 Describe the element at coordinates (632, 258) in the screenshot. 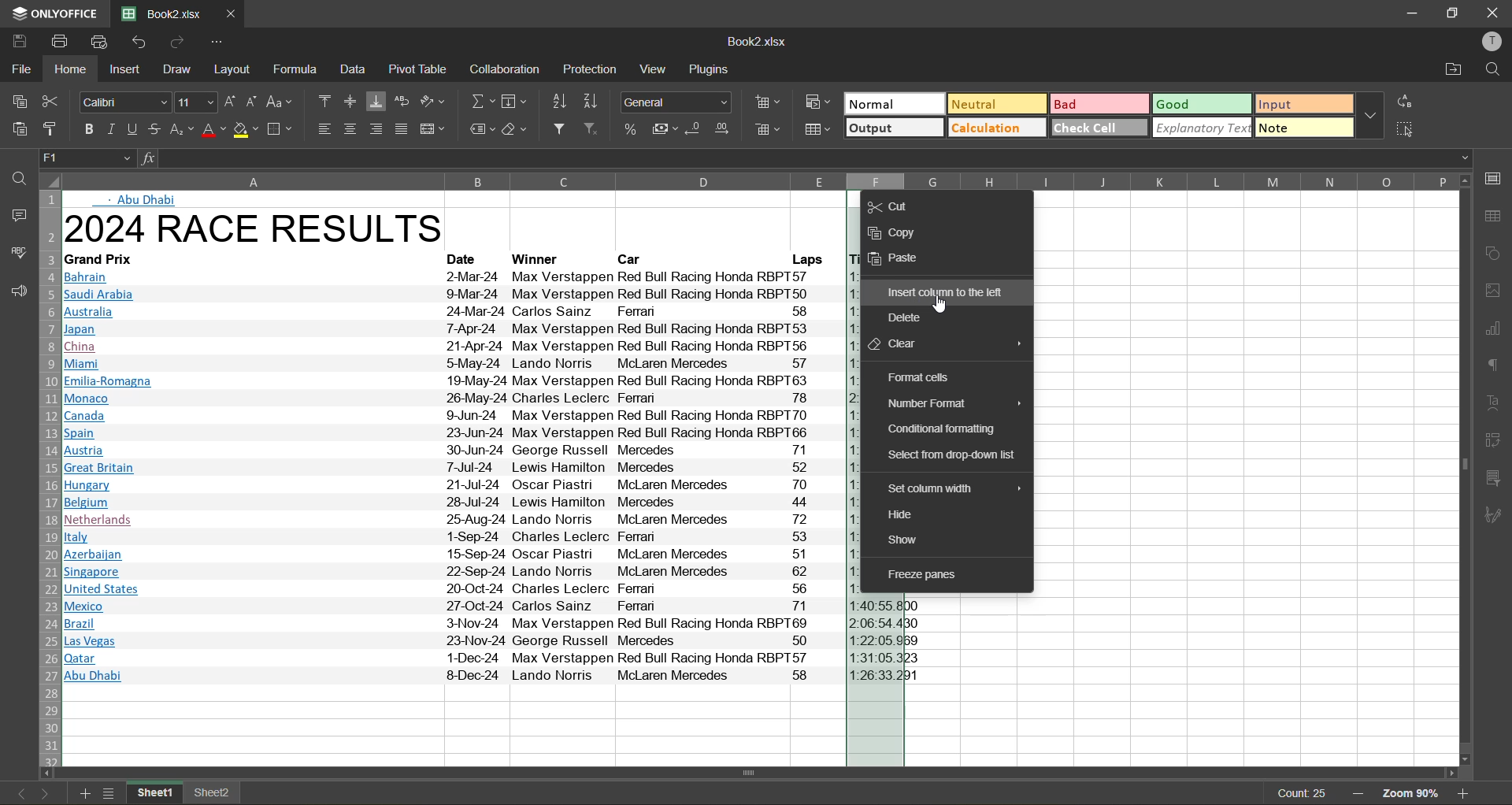

I see `Car` at that location.